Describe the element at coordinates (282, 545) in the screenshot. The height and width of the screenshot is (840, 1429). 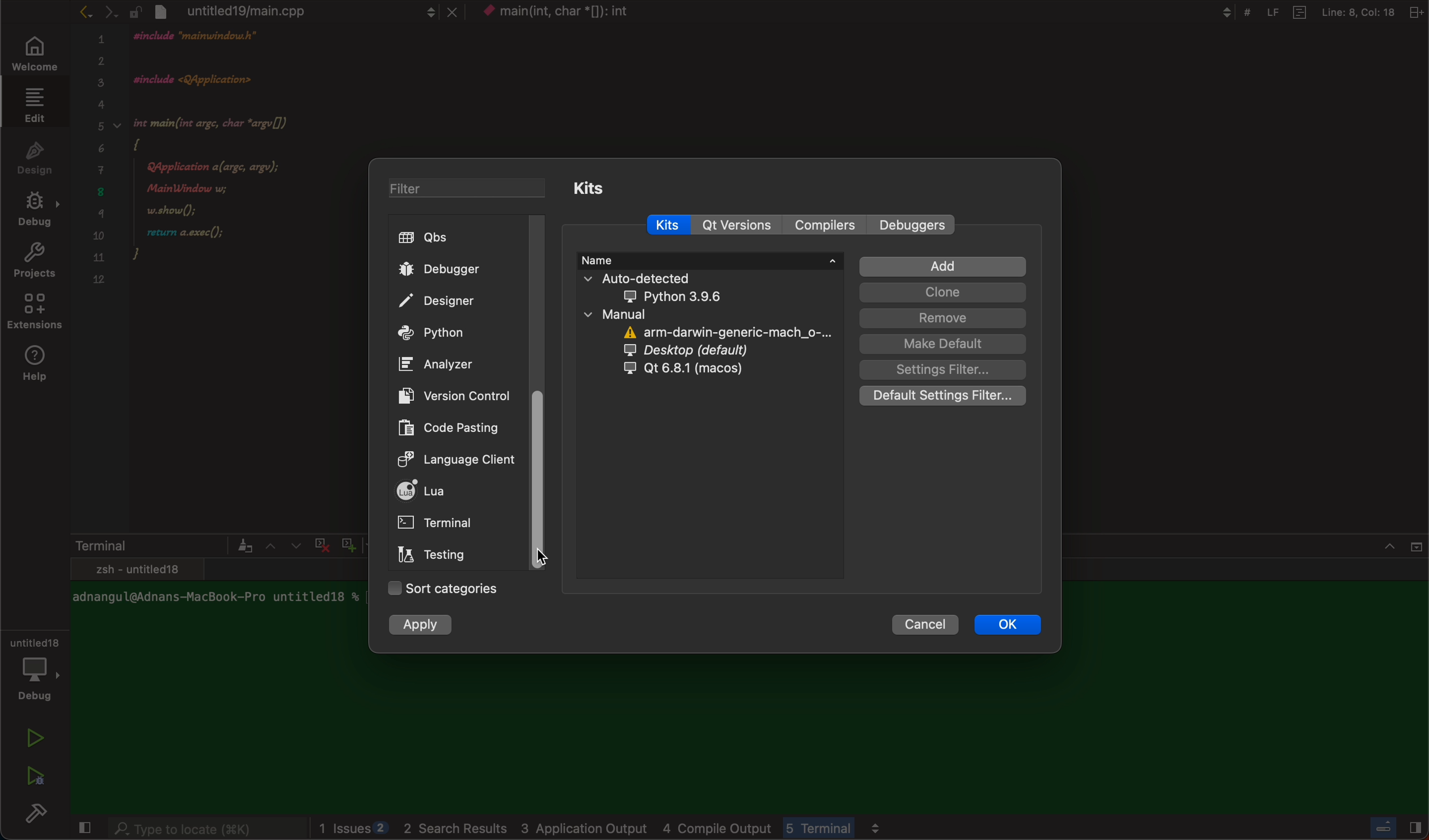
I see `arrows` at that location.